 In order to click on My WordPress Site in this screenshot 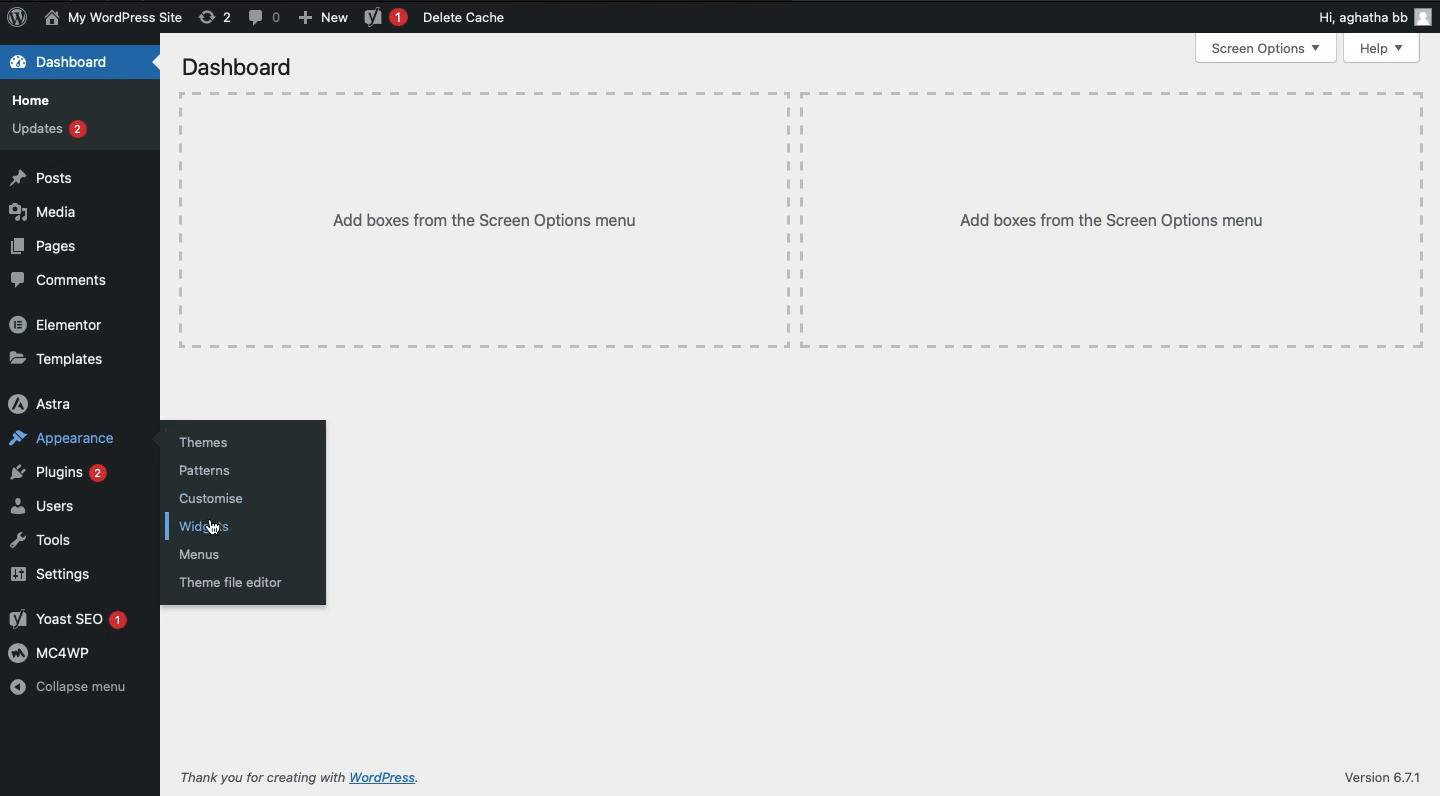, I will do `click(113, 18)`.